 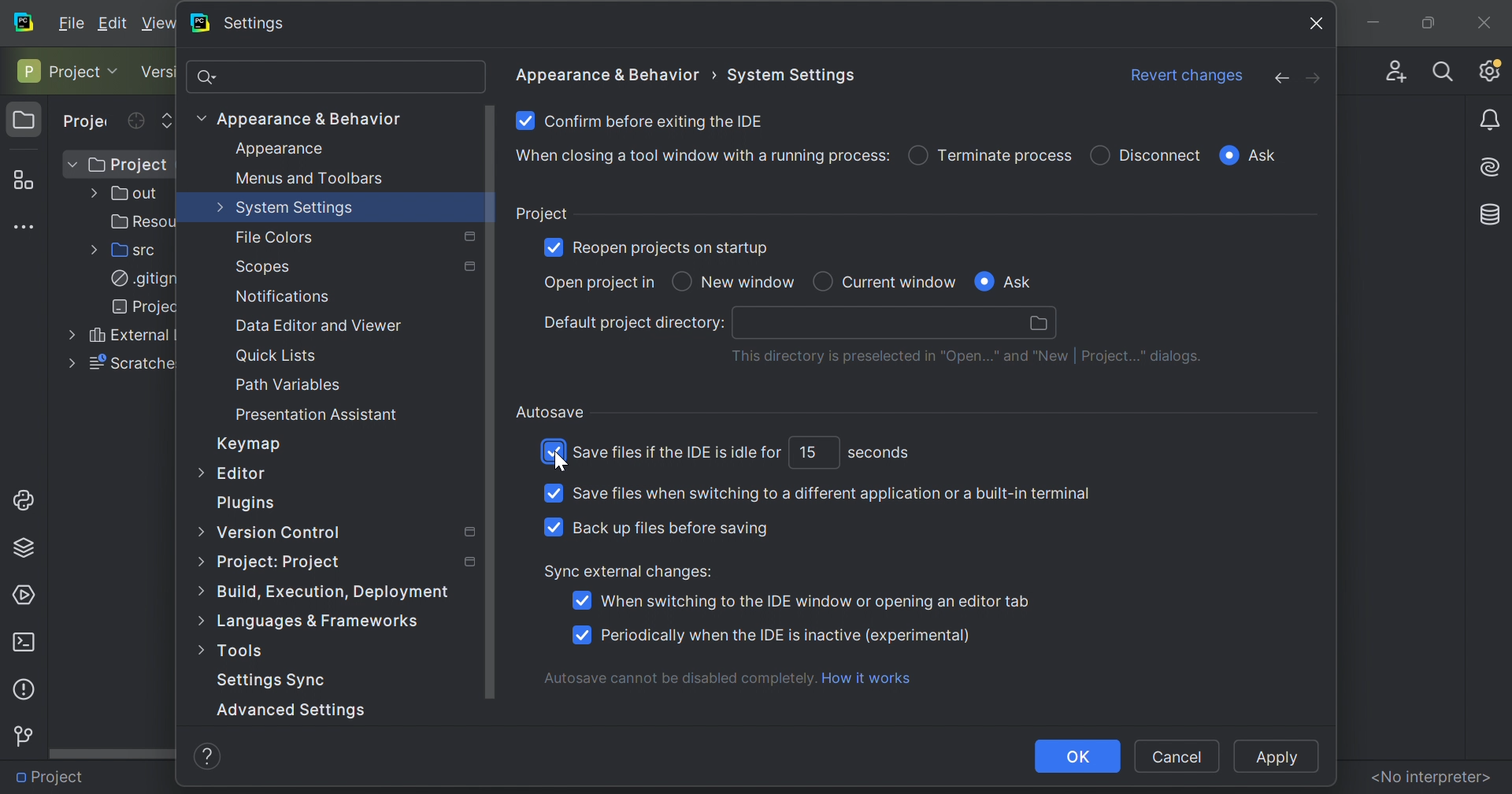 What do you see at coordinates (278, 563) in the screenshot?
I see `Project: Project` at bounding box center [278, 563].